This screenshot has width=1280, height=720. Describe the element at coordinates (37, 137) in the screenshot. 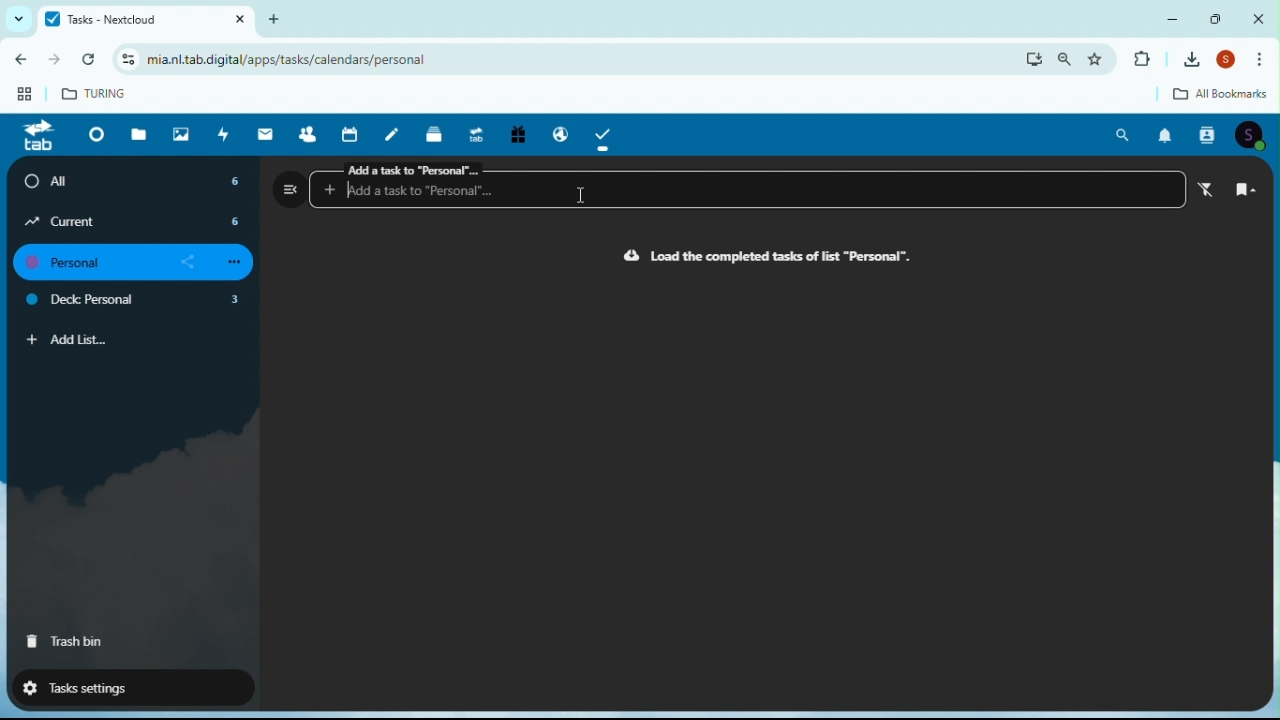

I see `tab` at that location.